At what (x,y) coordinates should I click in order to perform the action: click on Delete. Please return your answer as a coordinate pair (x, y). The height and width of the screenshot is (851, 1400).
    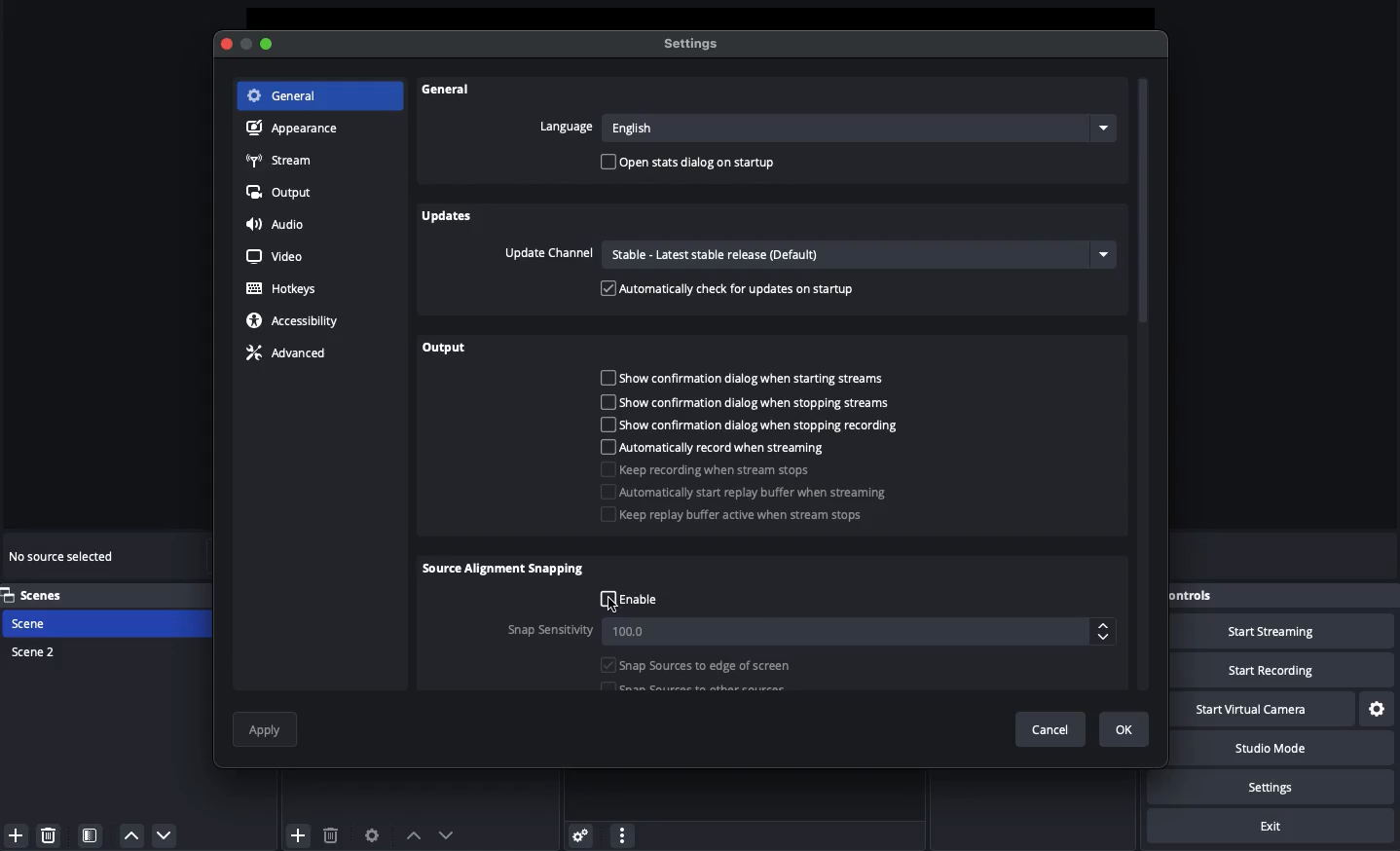
    Looking at the image, I should click on (52, 834).